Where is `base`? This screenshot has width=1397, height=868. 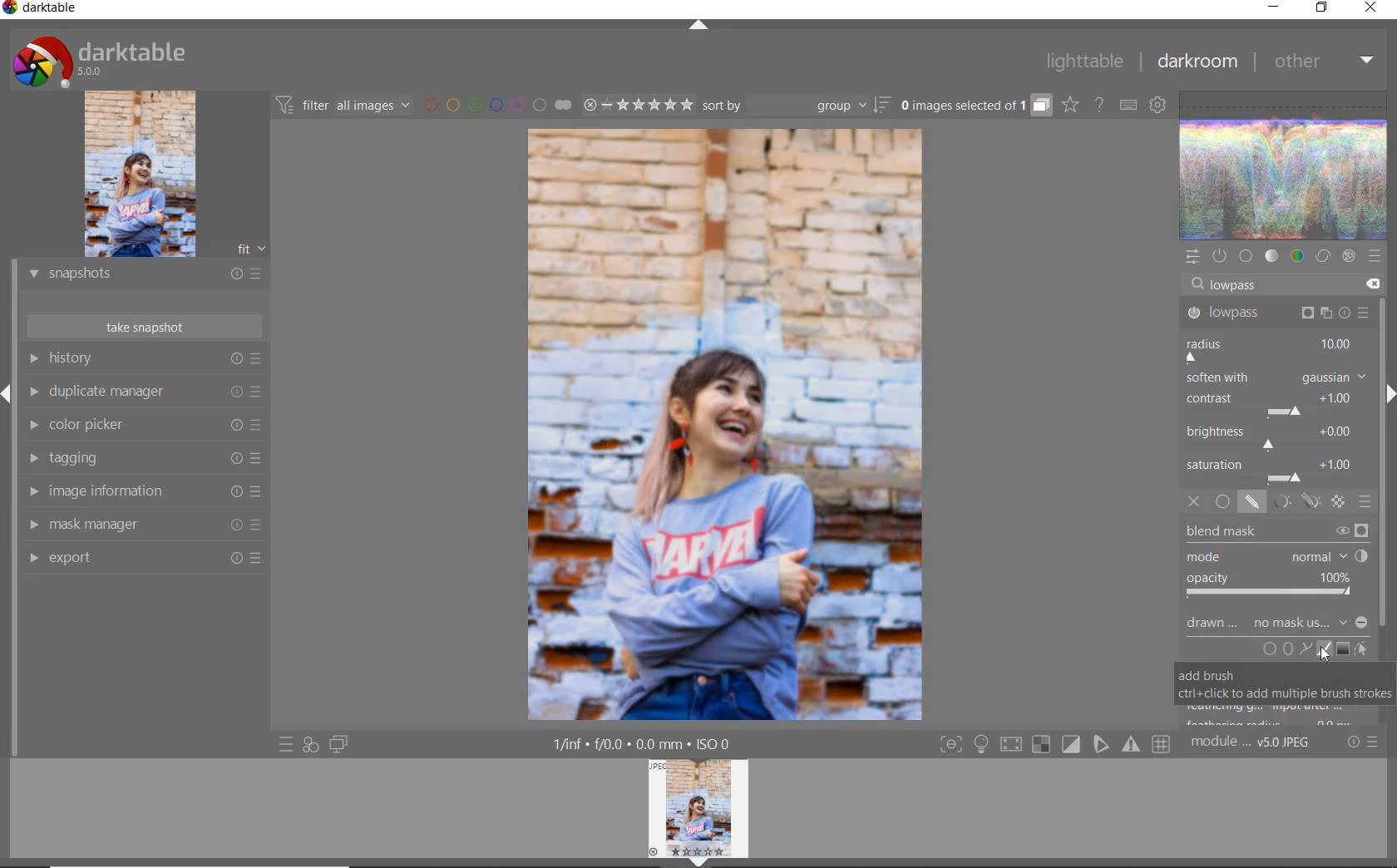 base is located at coordinates (1246, 256).